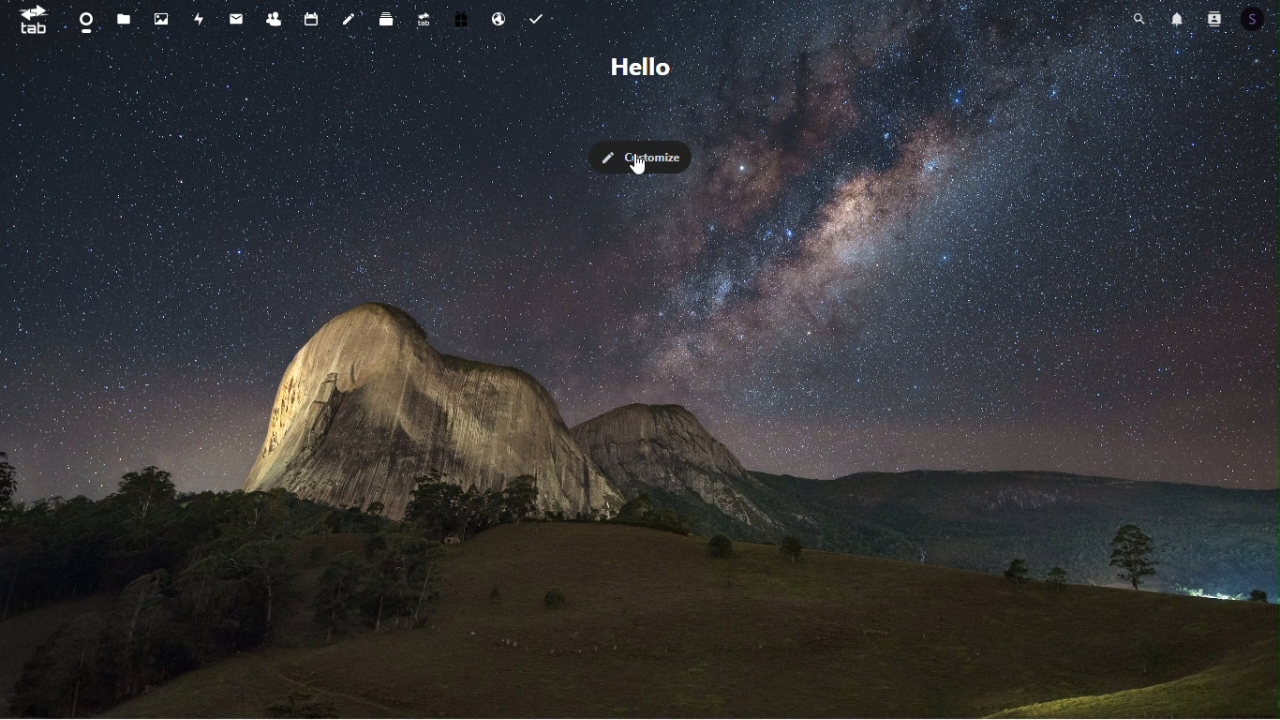 This screenshot has width=1280, height=720. I want to click on notifications, so click(1178, 20).